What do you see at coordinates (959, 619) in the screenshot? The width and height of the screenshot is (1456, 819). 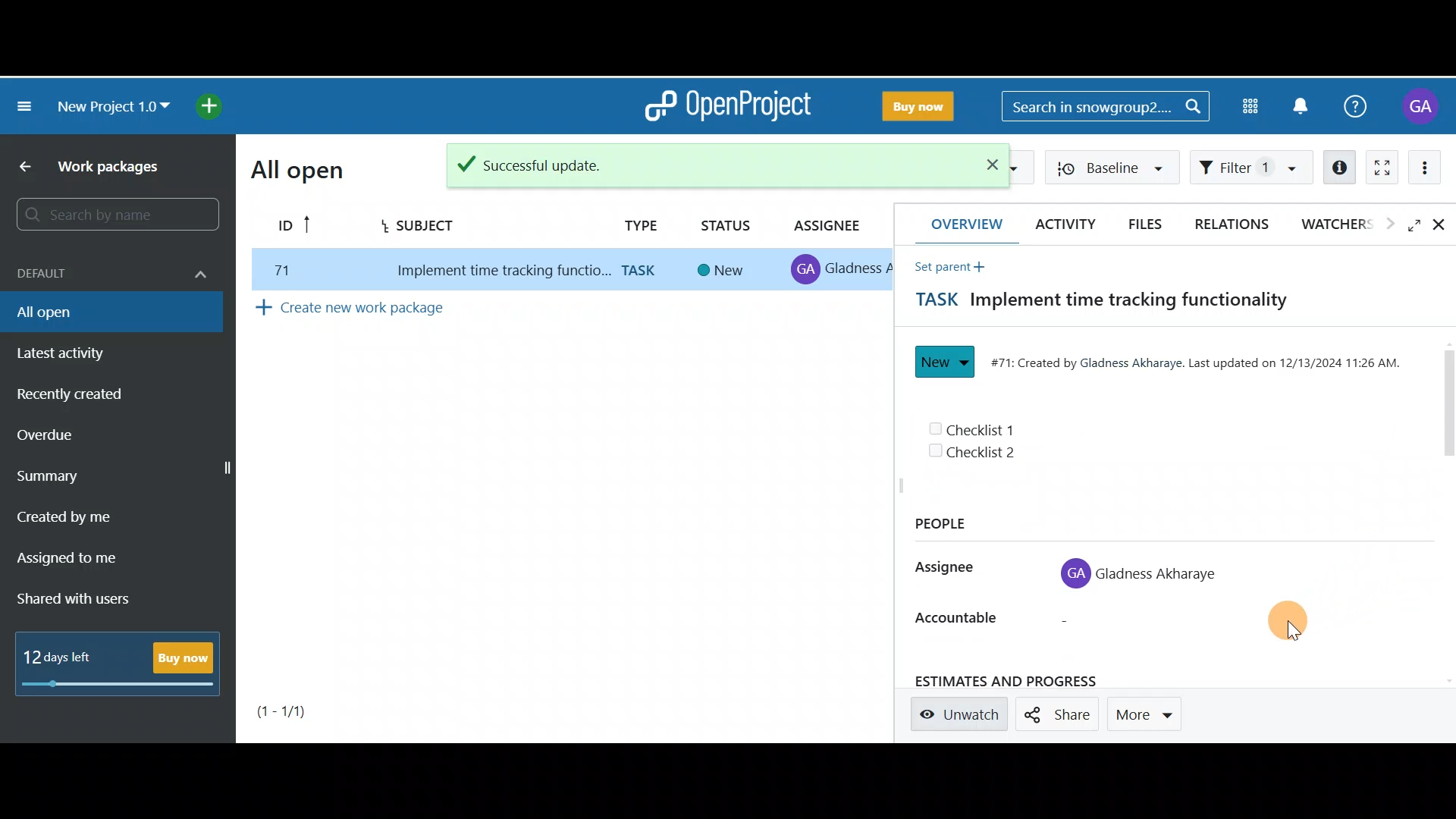 I see `accountable` at bounding box center [959, 619].